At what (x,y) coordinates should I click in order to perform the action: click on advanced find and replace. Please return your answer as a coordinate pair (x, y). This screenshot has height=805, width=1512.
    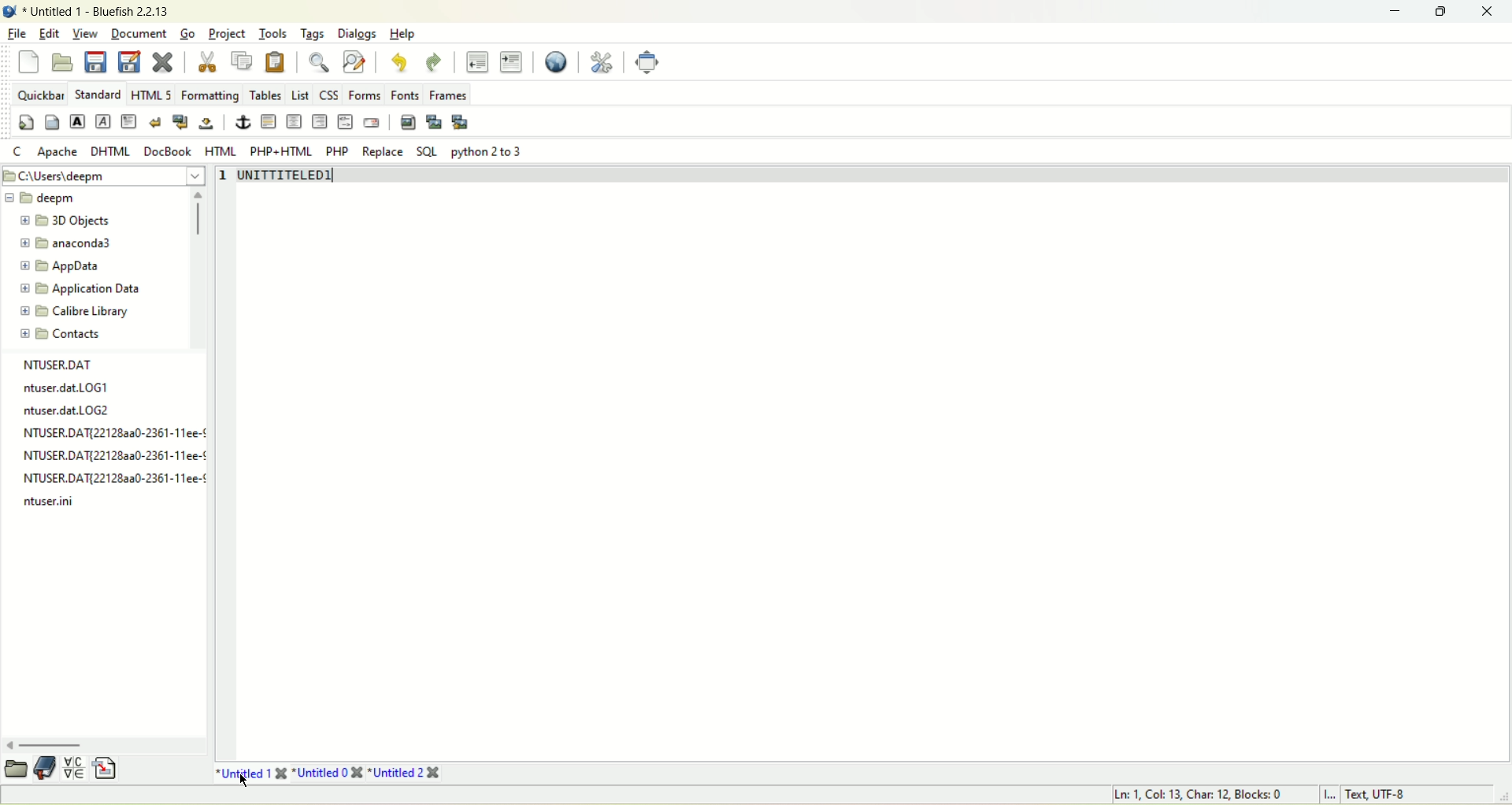
    Looking at the image, I should click on (358, 61).